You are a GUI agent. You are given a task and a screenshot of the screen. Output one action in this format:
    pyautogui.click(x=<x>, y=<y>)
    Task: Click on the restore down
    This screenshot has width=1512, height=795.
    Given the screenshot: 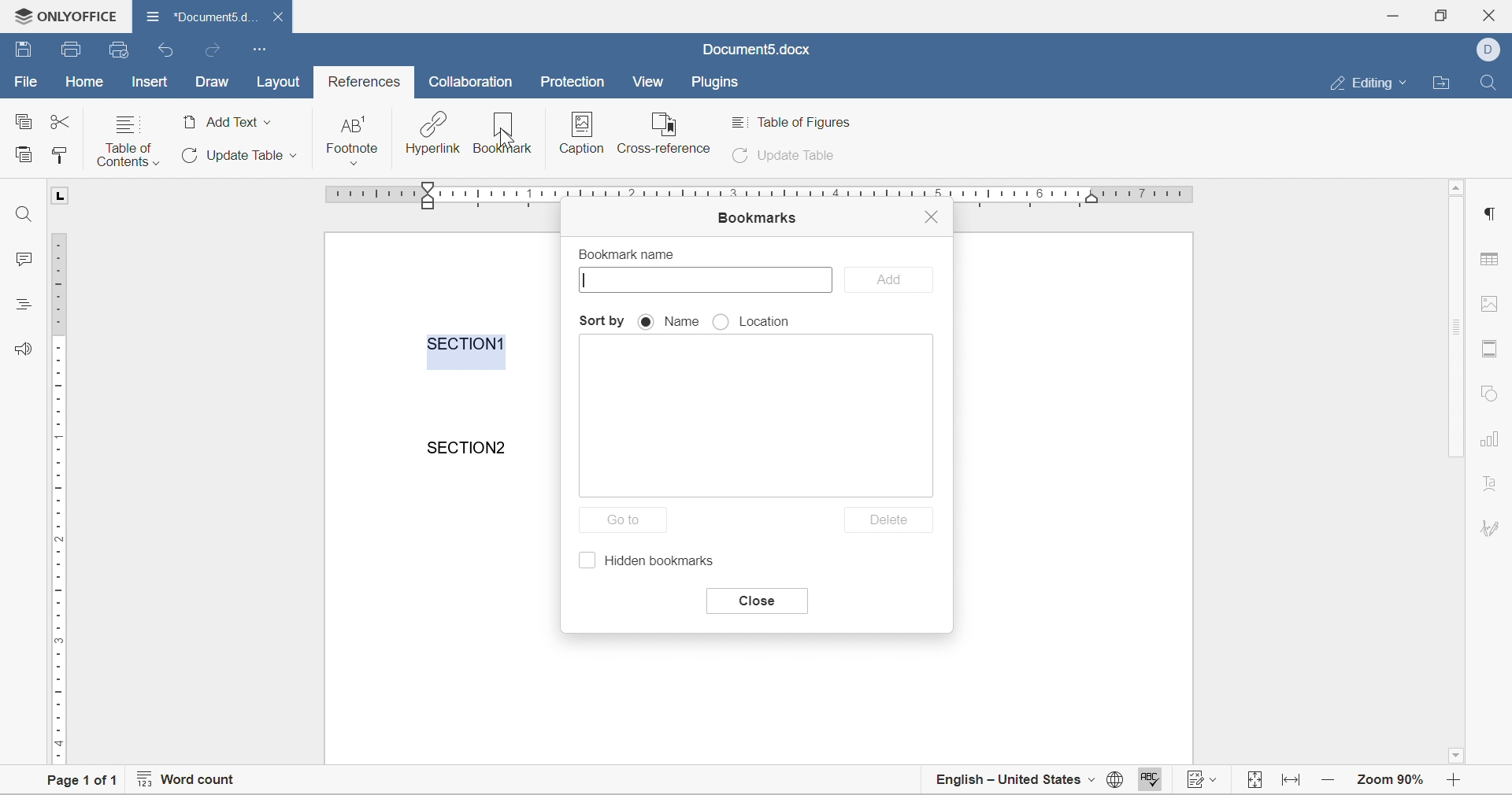 What is the action you would take?
    pyautogui.click(x=1439, y=14)
    